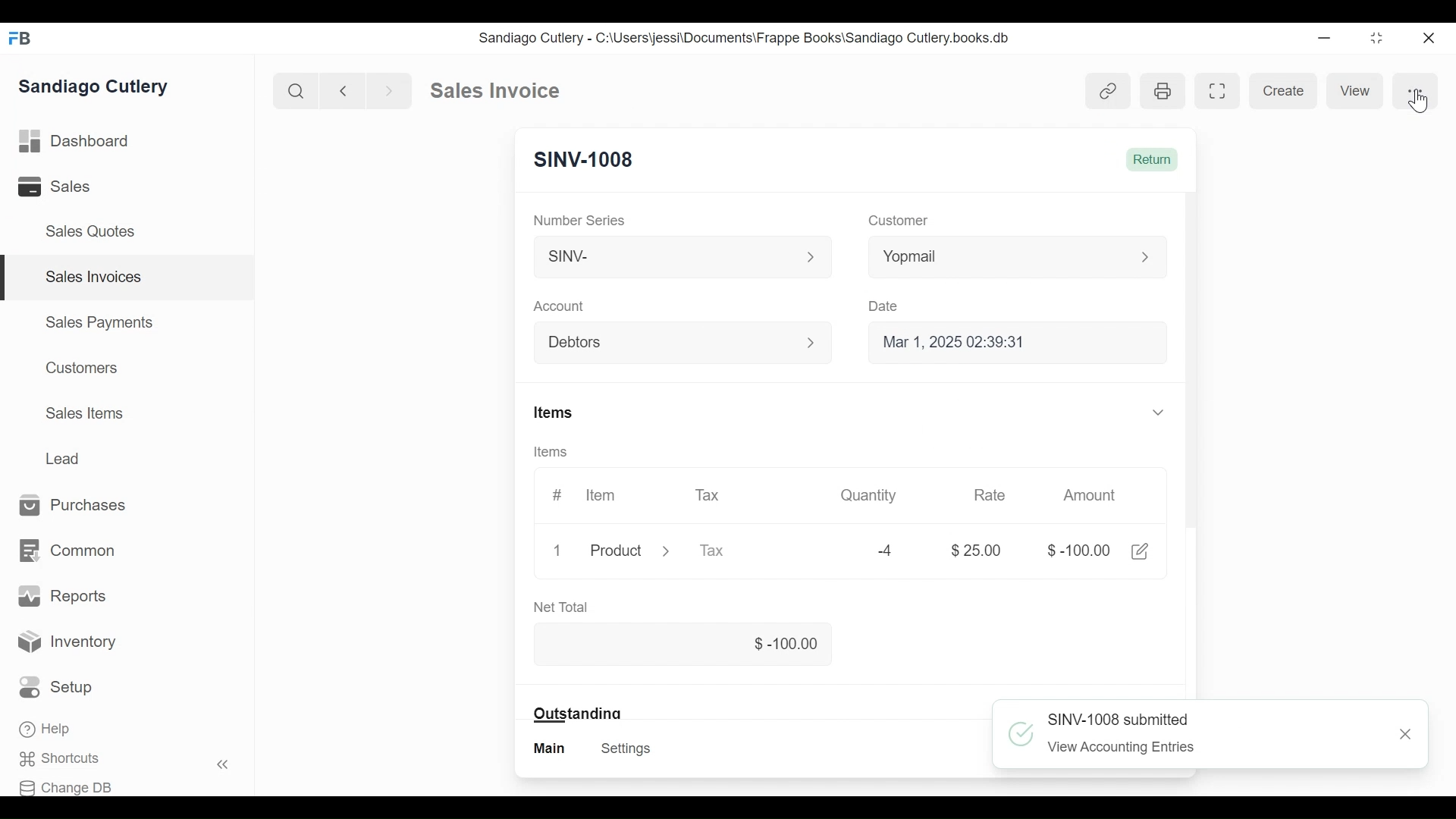  What do you see at coordinates (557, 551) in the screenshot?
I see `1` at bounding box center [557, 551].